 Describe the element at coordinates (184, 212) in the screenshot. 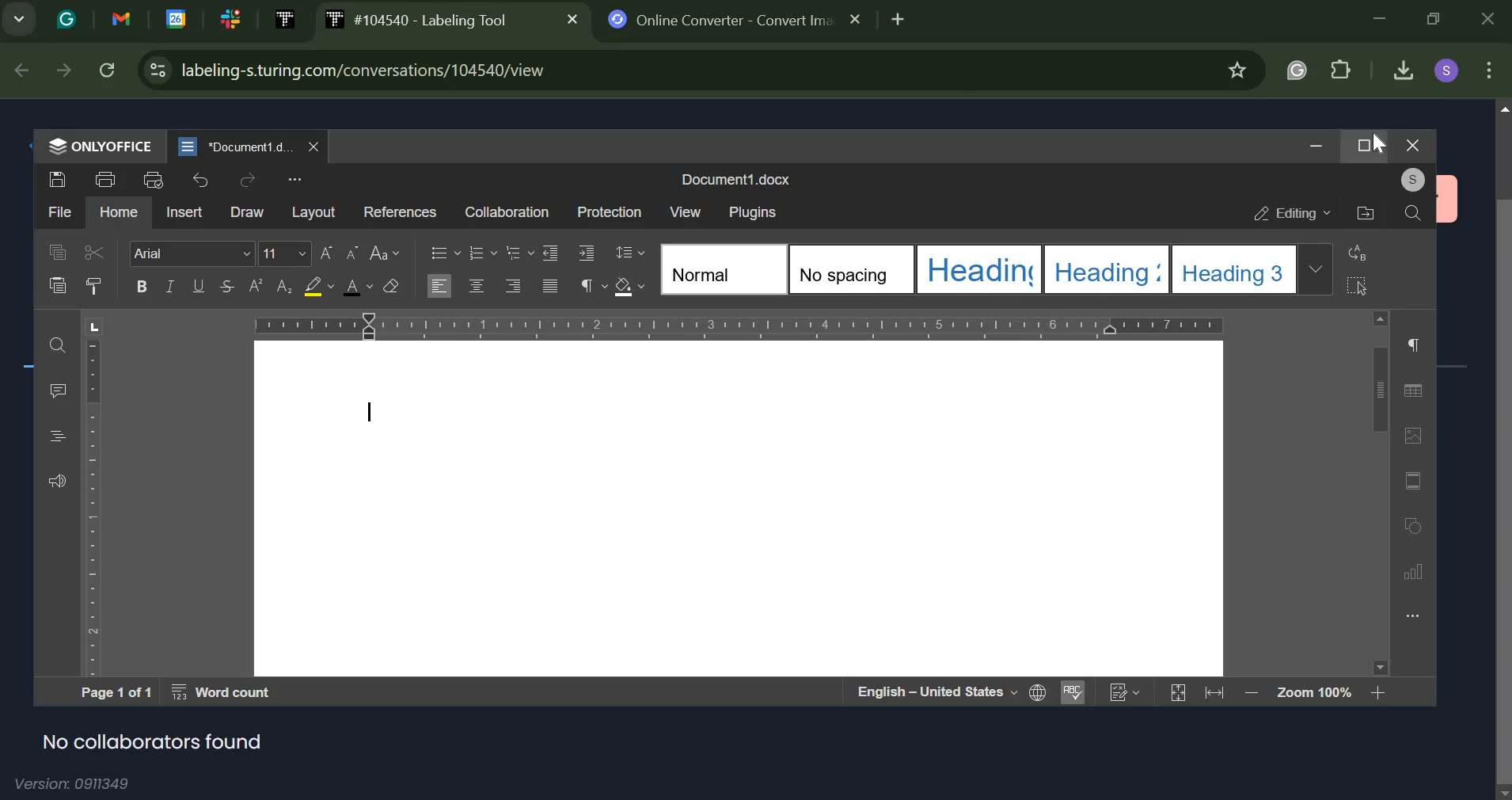

I see `insert` at that location.